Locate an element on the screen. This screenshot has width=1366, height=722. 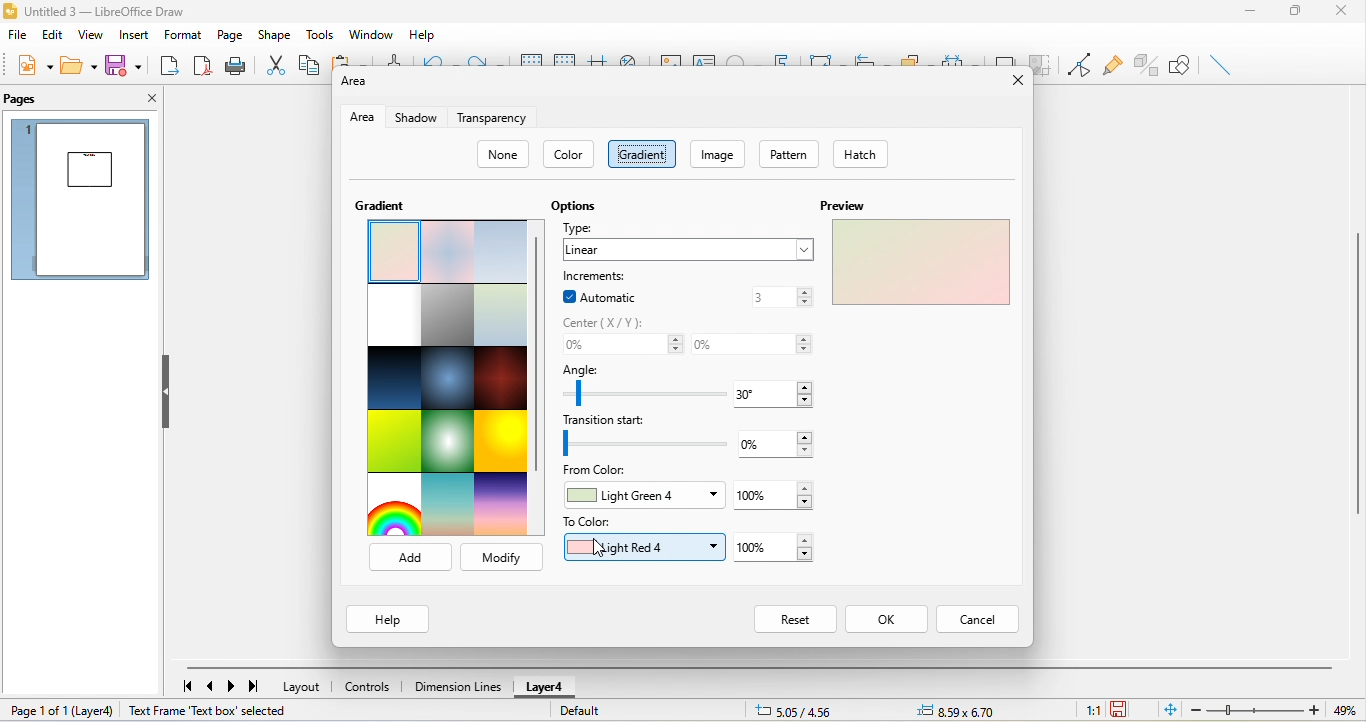
untitled 3- libre office draw is located at coordinates (111, 10).